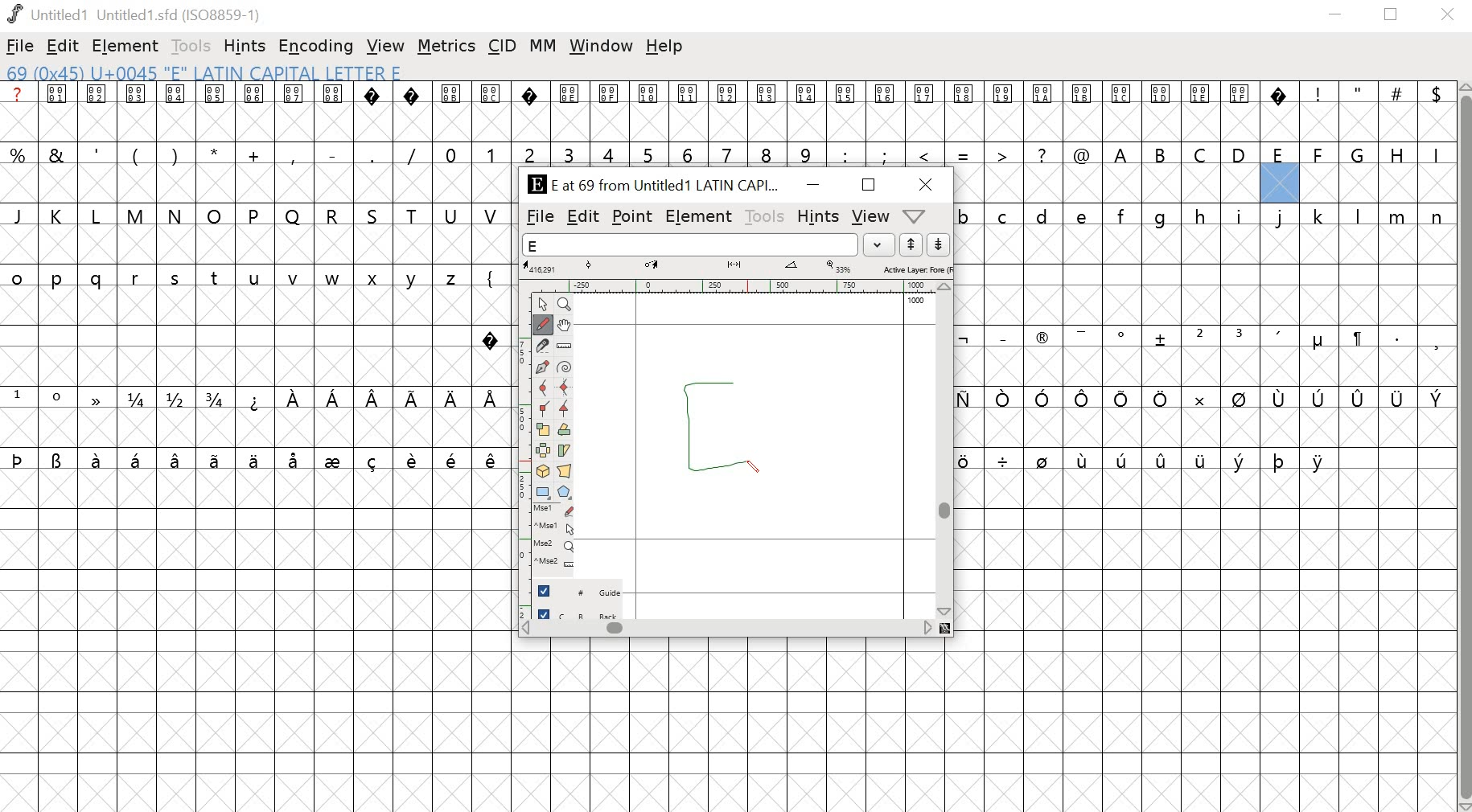  Describe the element at coordinates (869, 217) in the screenshot. I see `view` at that location.